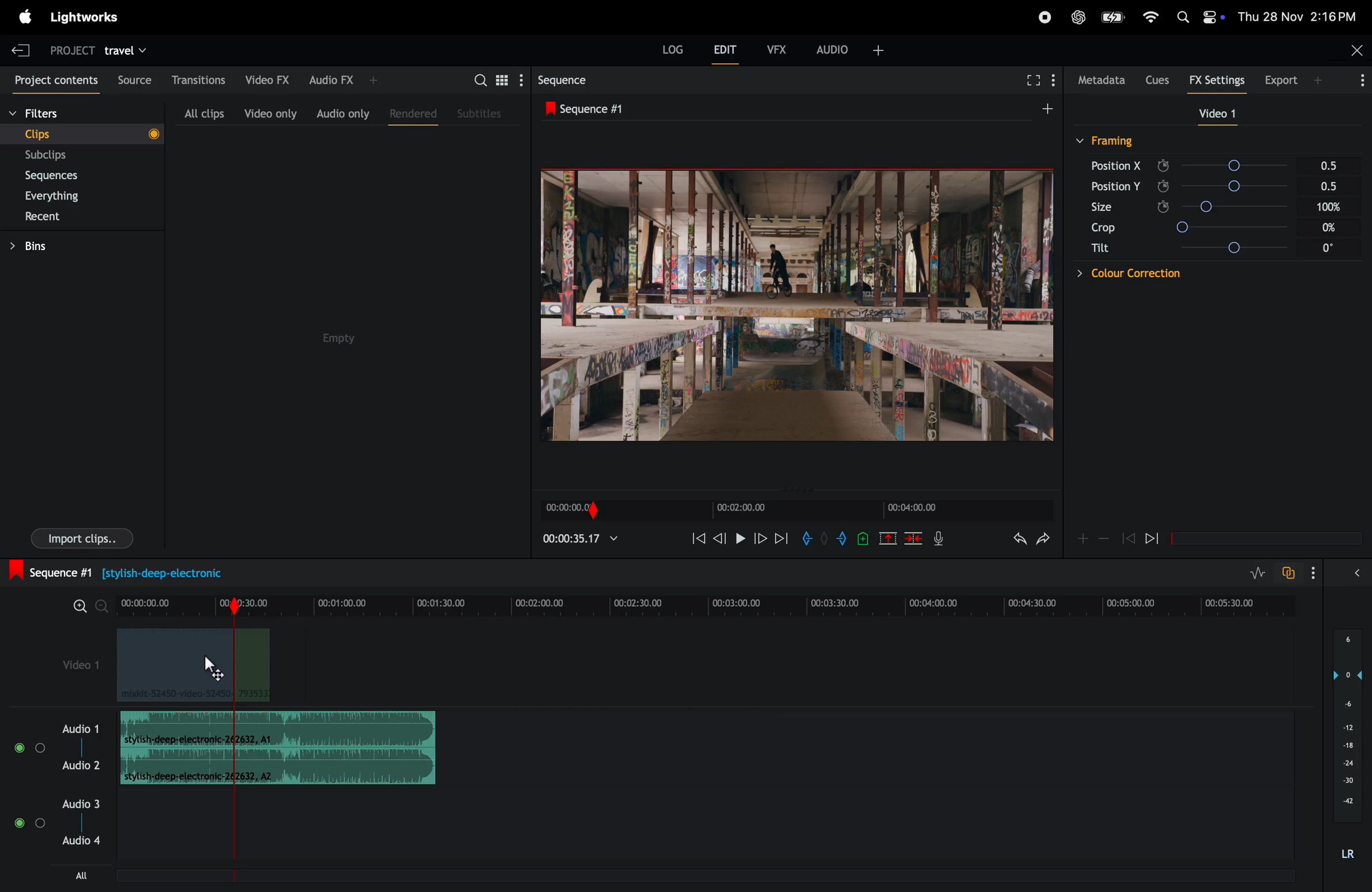 The image size is (1372, 892). What do you see at coordinates (481, 112) in the screenshot?
I see `subtitles` at bounding box center [481, 112].